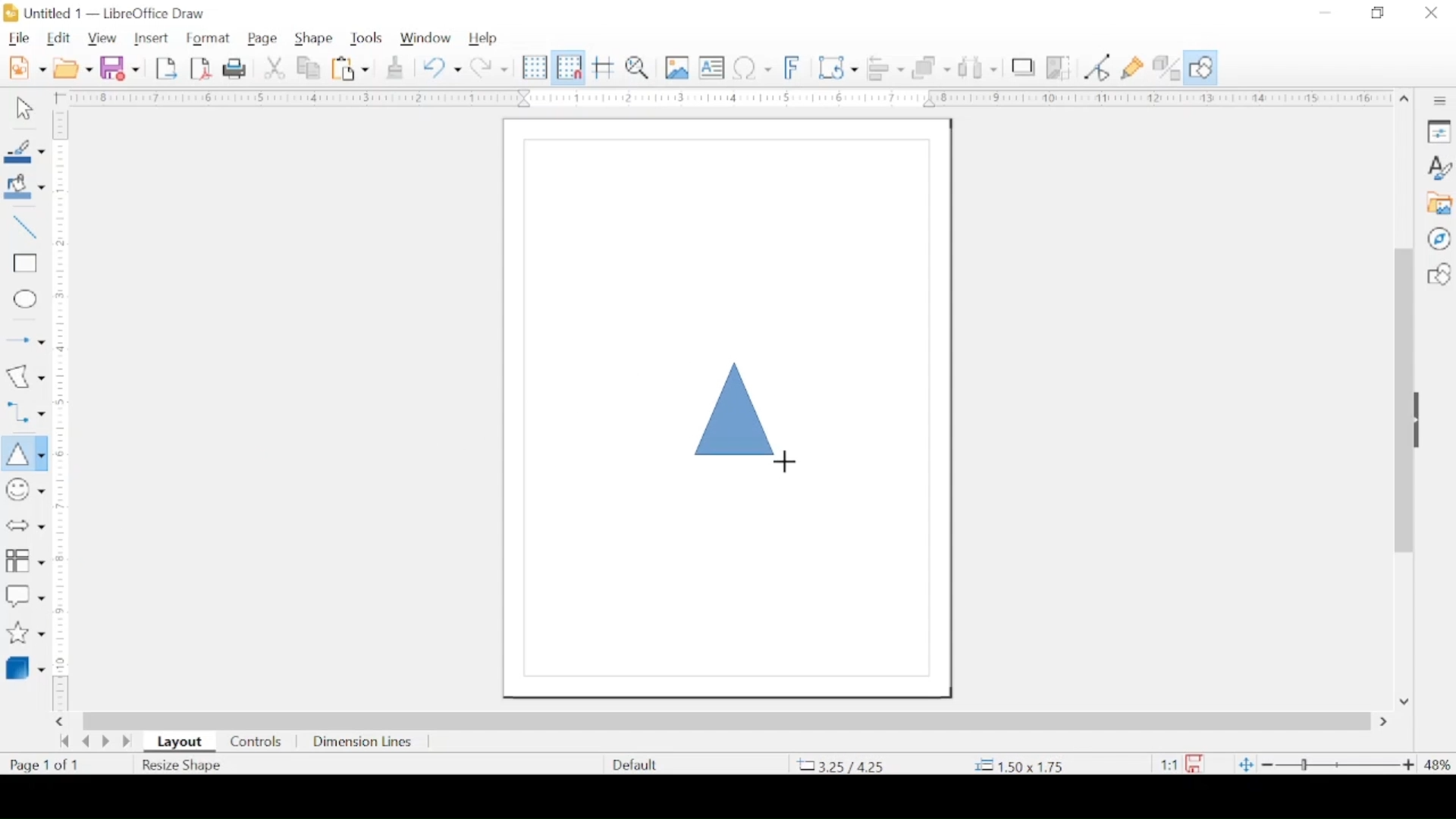 The width and height of the screenshot is (1456, 819). What do you see at coordinates (711, 67) in the screenshot?
I see `insert textbox` at bounding box center [711, 67].